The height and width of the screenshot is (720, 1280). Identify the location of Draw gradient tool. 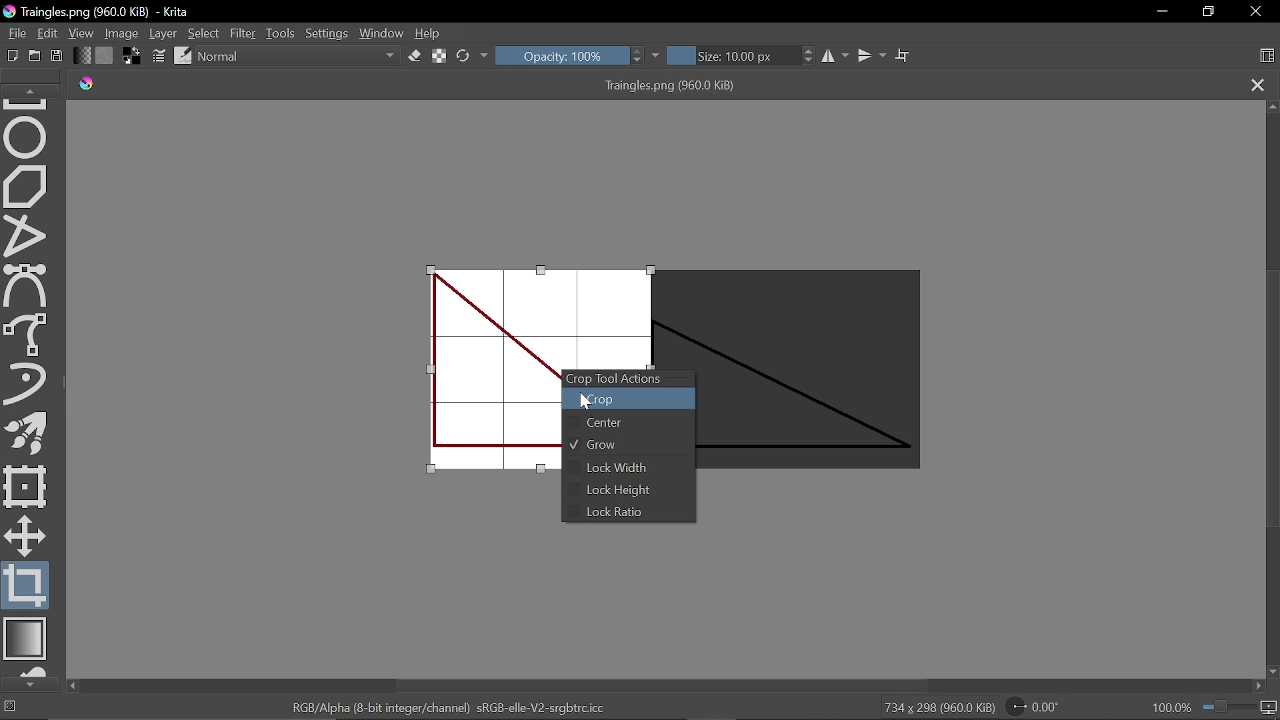
(28, 640).